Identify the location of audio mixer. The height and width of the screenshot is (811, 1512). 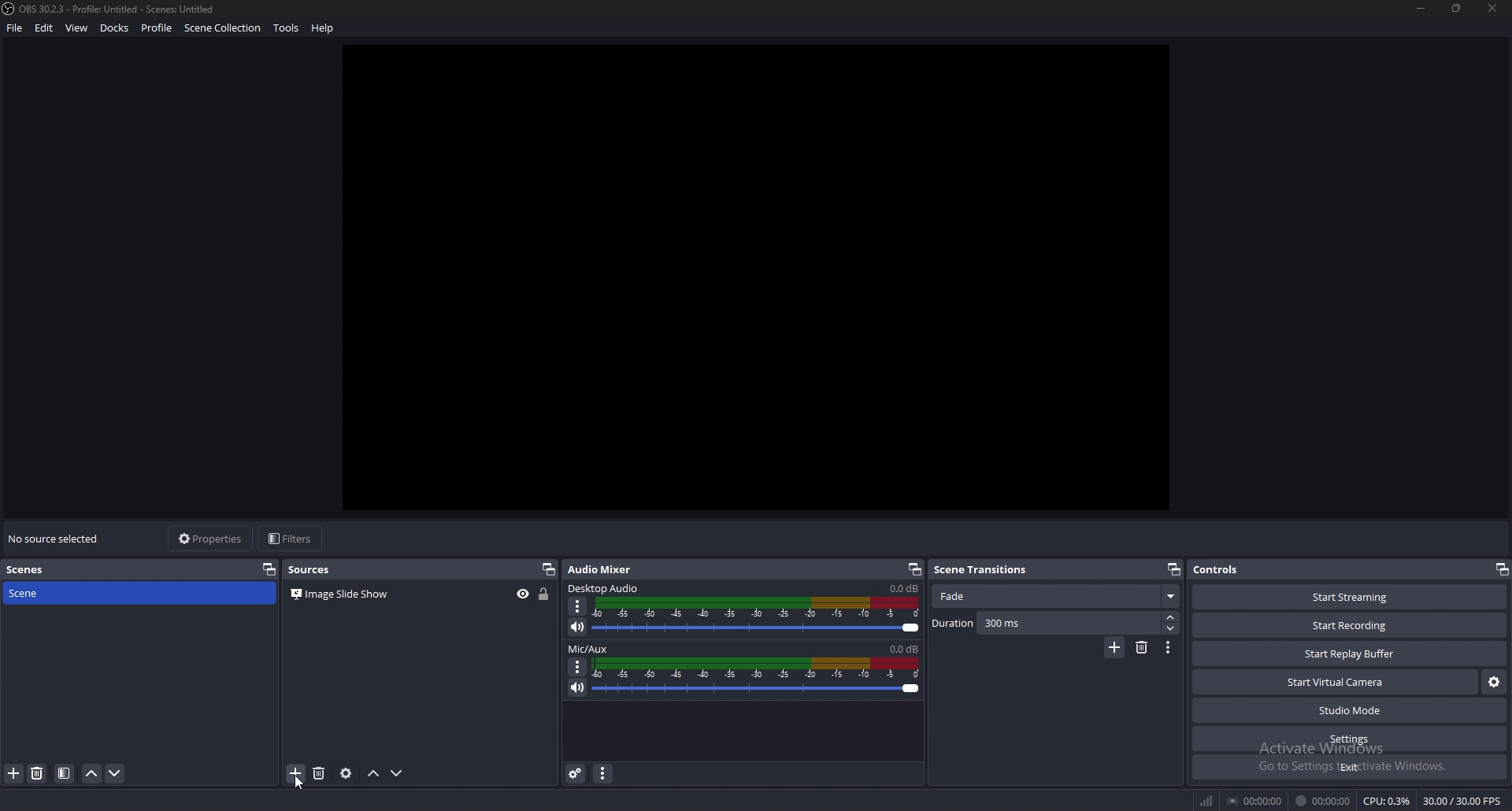
(608, 569).